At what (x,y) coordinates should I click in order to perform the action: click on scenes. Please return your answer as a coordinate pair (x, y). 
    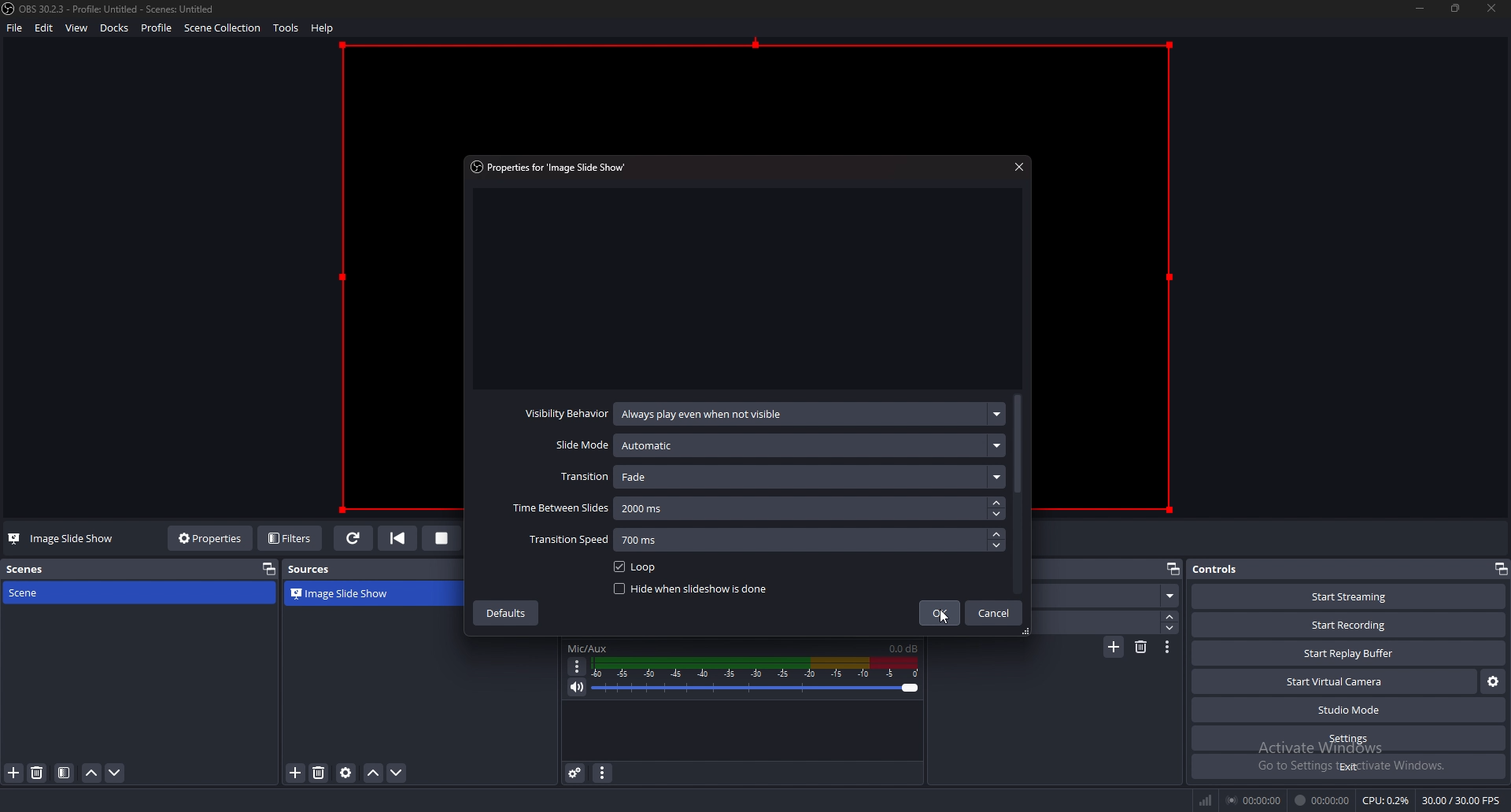
    Looking at the image, I should click on (27, 570).